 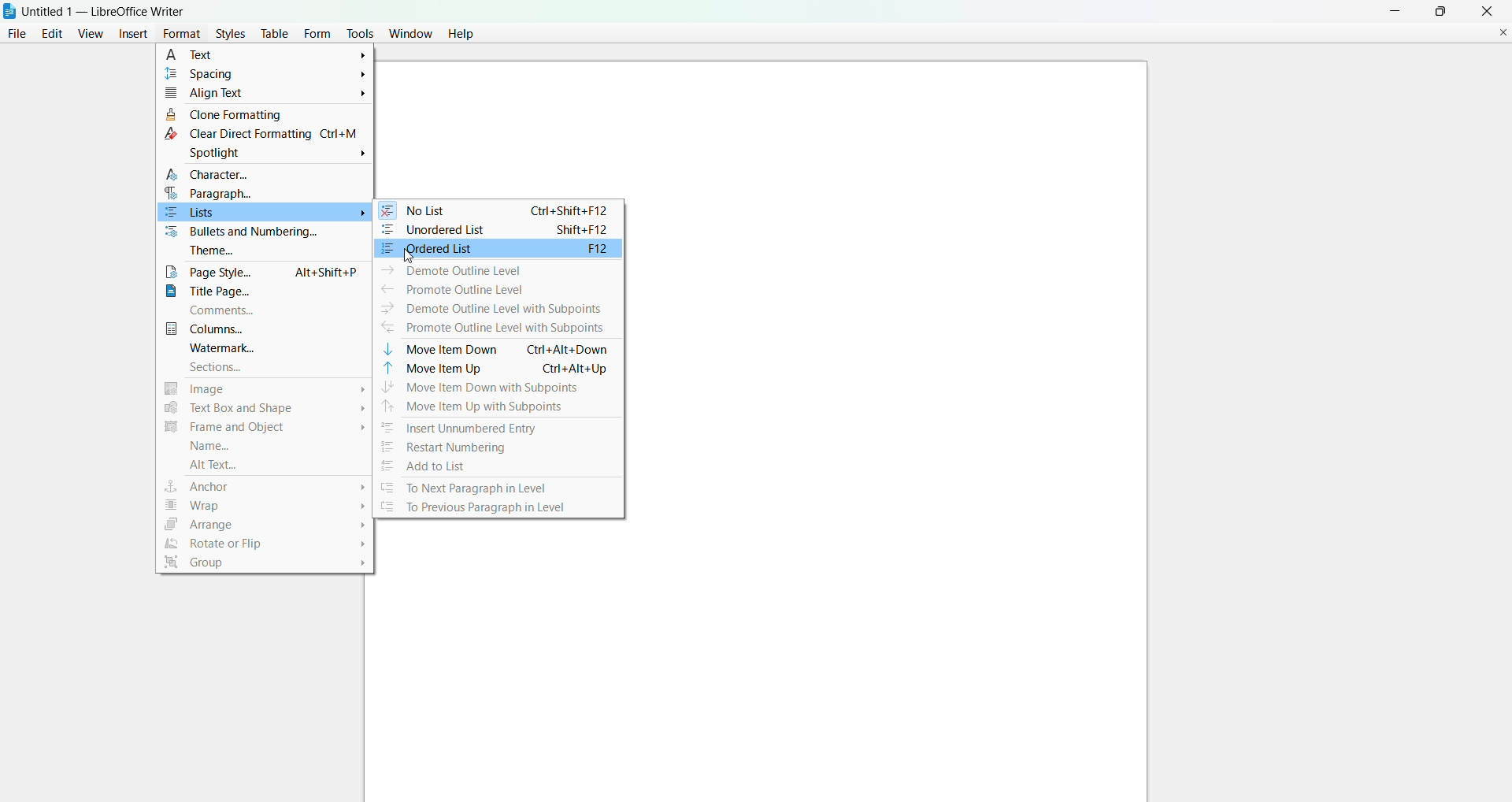 What do you see at coordinates (269, 55) in the screenshot?
I see `text` at bounding box center [269, 55].